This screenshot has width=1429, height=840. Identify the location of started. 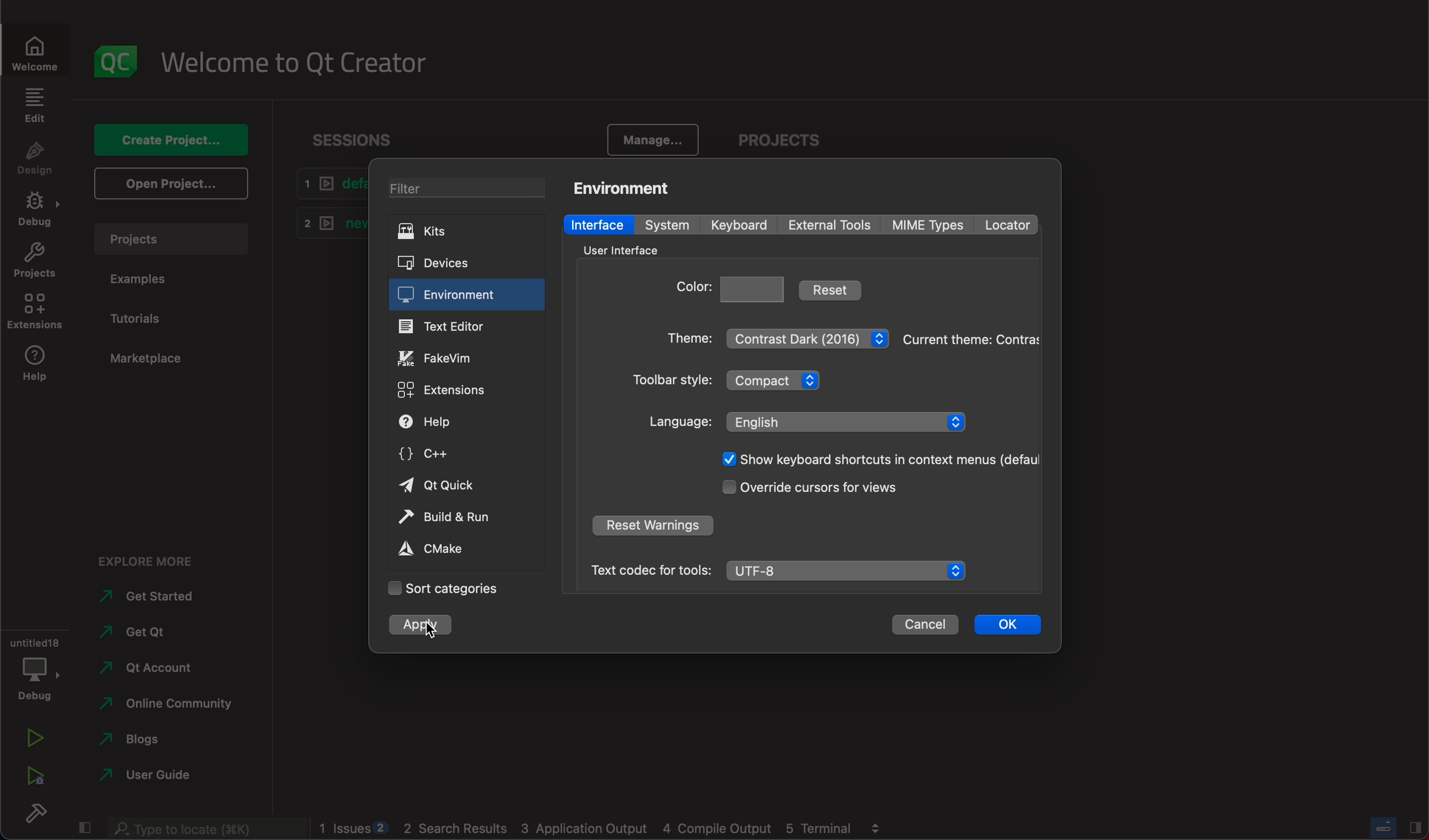
(153, 596).